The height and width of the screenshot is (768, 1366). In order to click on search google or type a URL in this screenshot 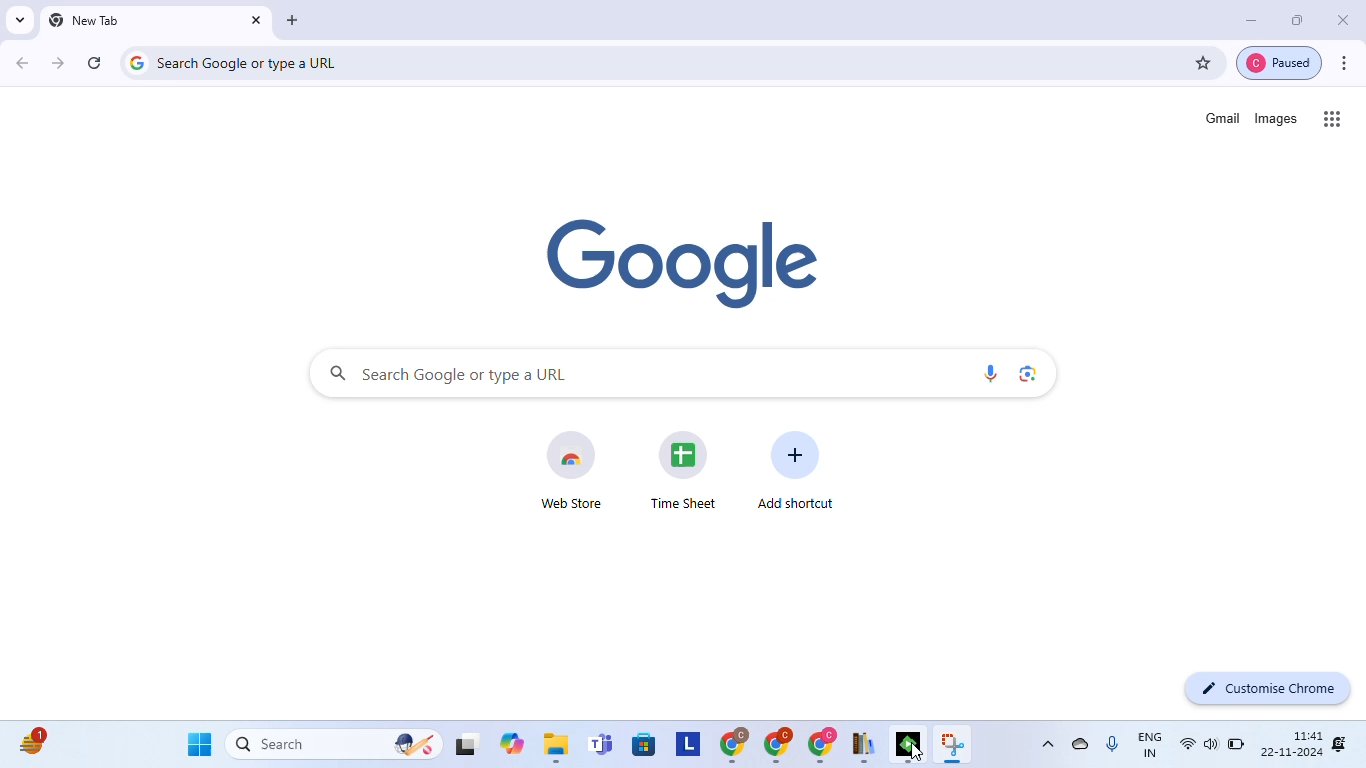, I will do `click(642, 64)`.